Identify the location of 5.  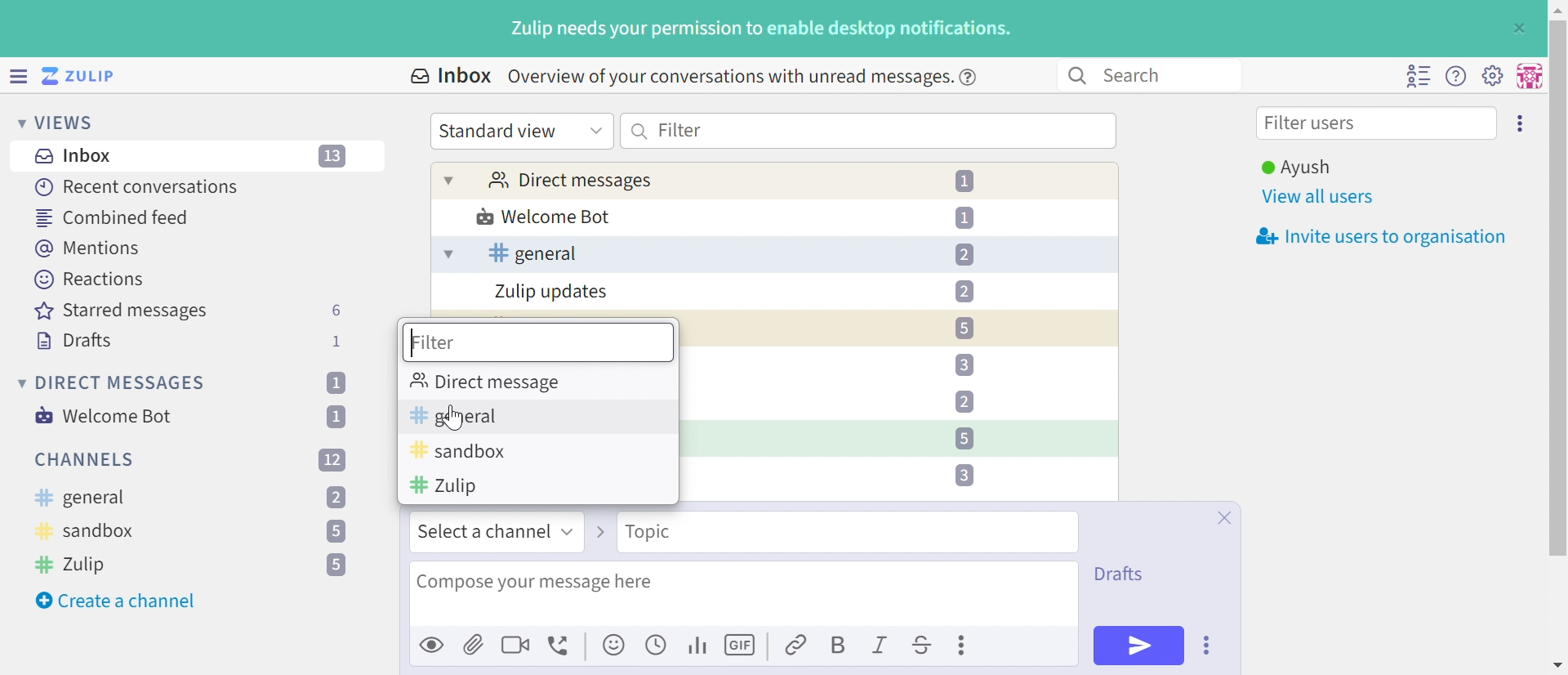
(335, 533).